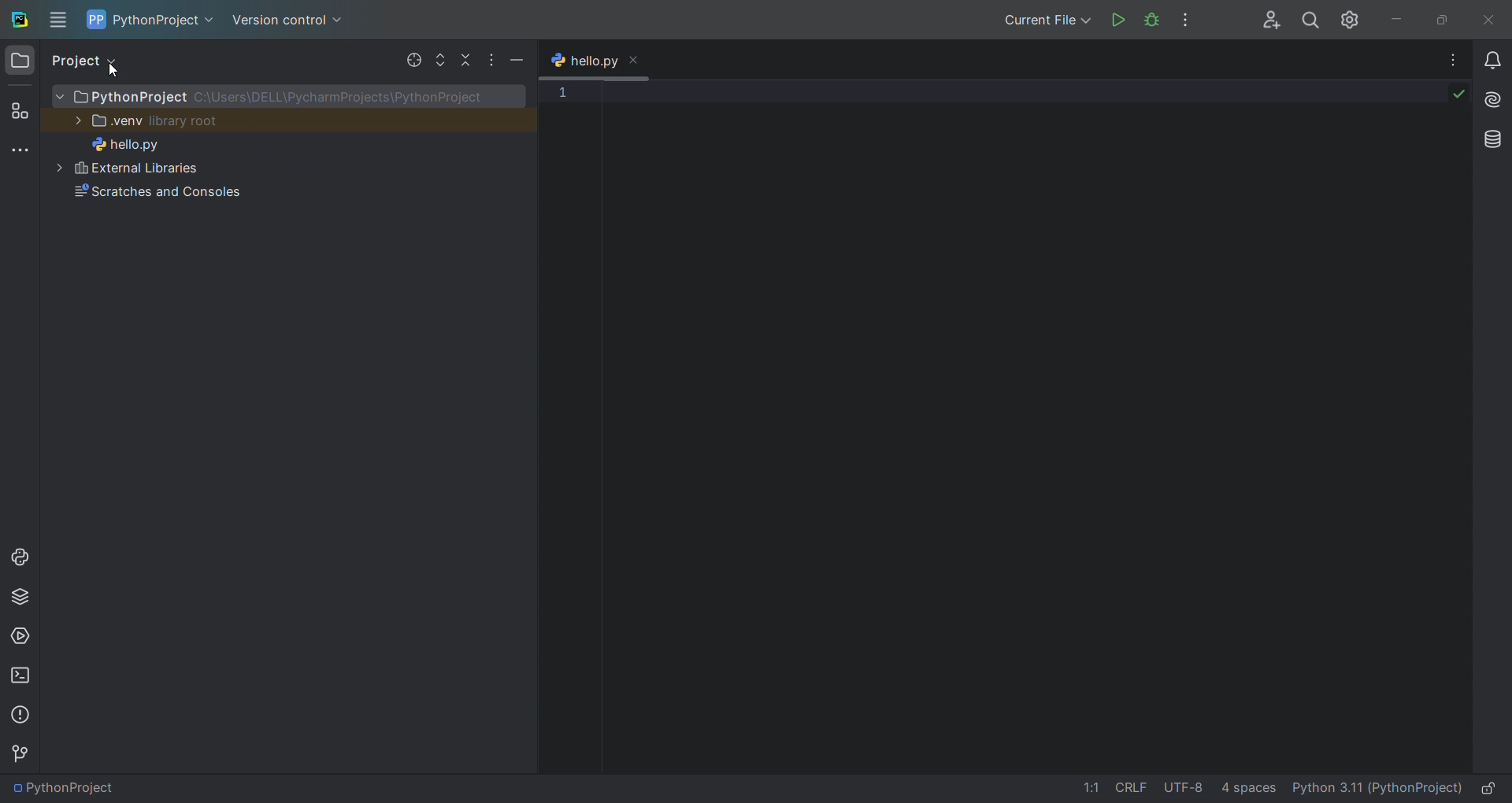  Describe the element at coordinates (81, 60) in the screenshot. I see `project view` at that location.